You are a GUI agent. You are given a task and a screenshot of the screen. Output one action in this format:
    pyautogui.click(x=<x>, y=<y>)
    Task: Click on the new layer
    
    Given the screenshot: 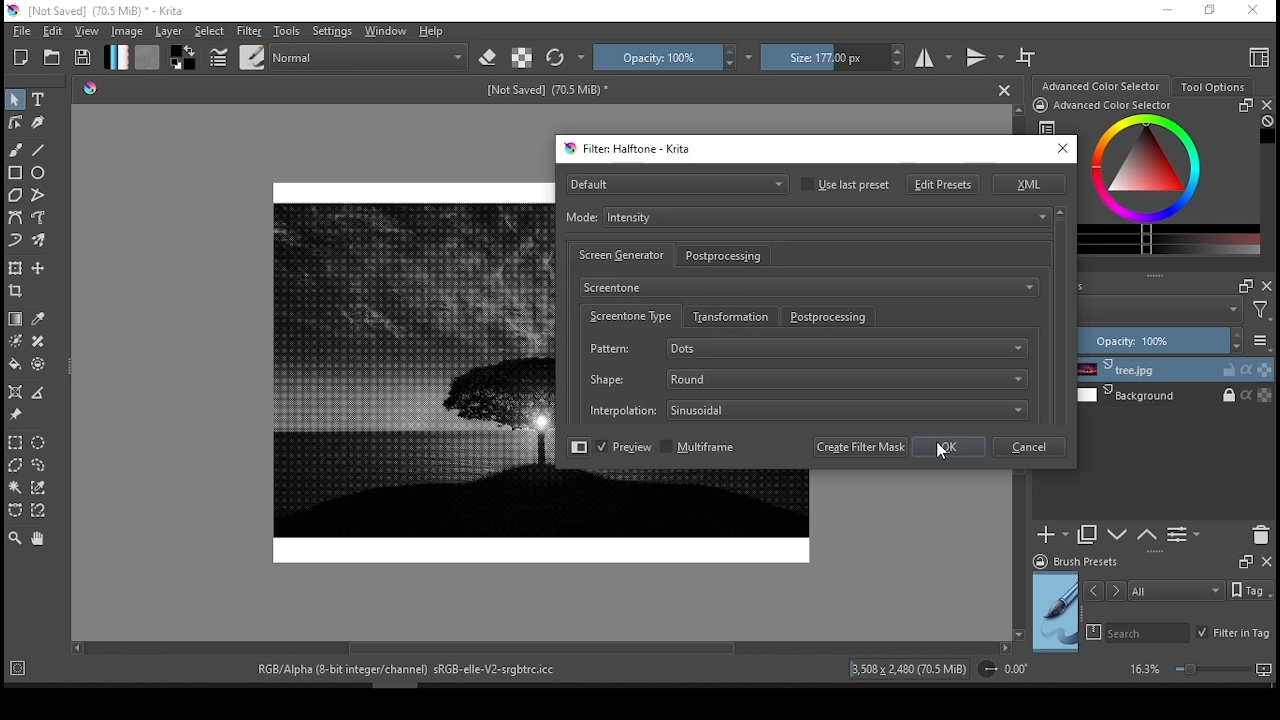 What is the action you would take?
    pyautogui.click(x=1052, y=536)
    